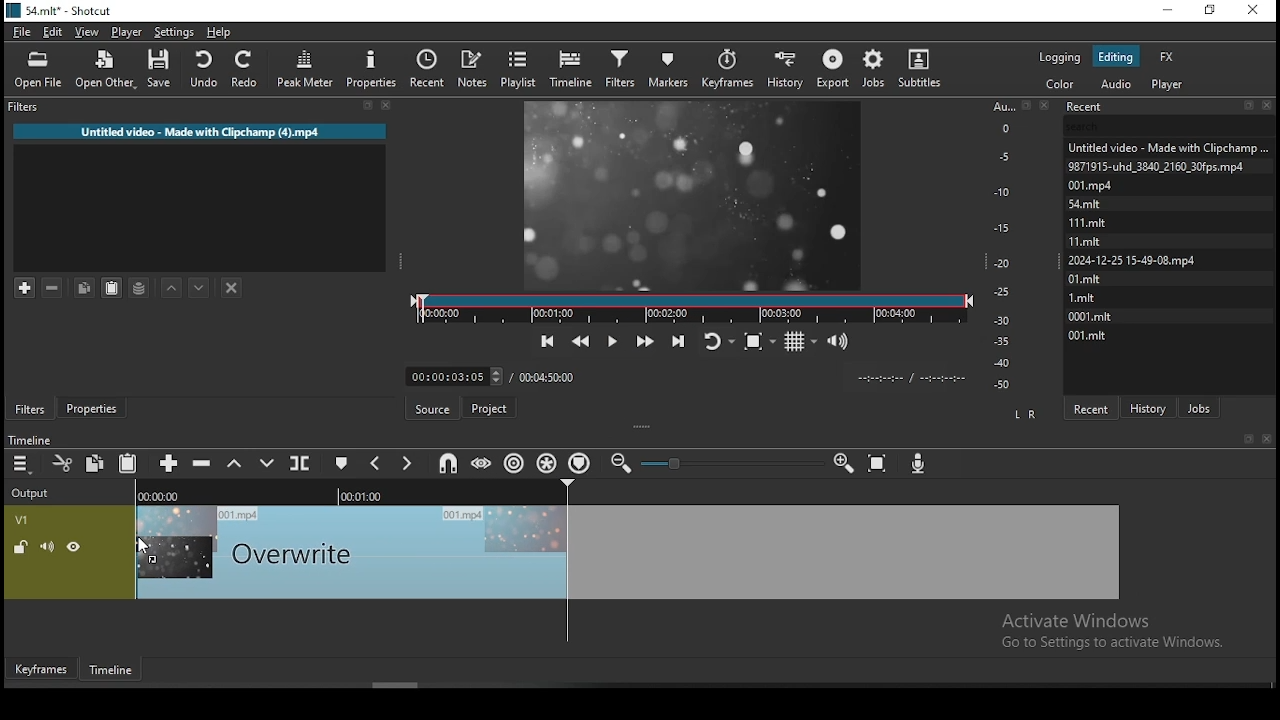 Image resolution: width=1280 pixels, height=720 pixels. What do you see at coordinates (33, 494) in the screenshot?
I see `Output` at bounding box center [33, 494].